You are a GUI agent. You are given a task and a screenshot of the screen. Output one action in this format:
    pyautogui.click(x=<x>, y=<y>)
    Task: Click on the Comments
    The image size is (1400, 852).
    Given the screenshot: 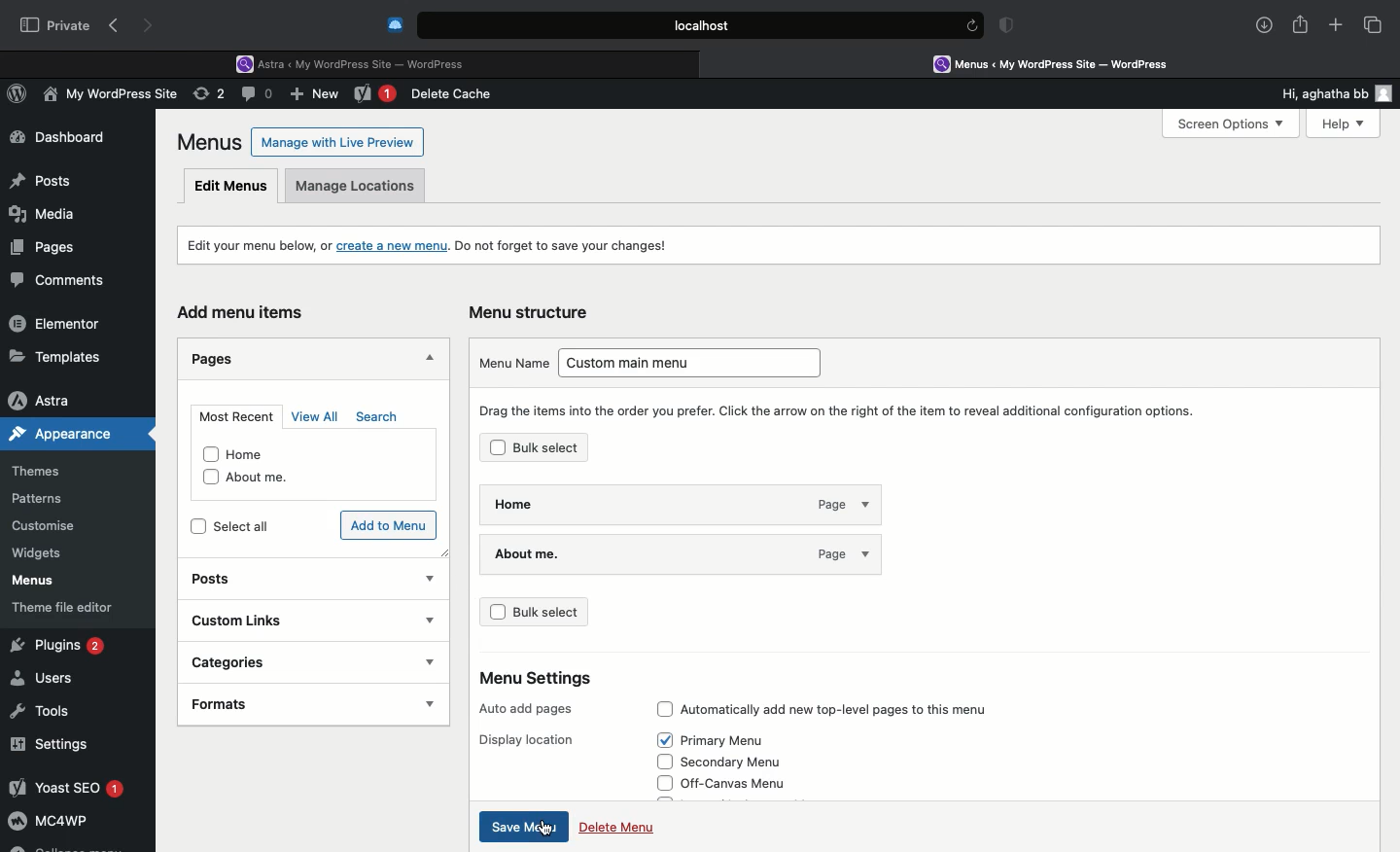 What is the action you would take?
    pyautogui.click(x=66, y=281)
    